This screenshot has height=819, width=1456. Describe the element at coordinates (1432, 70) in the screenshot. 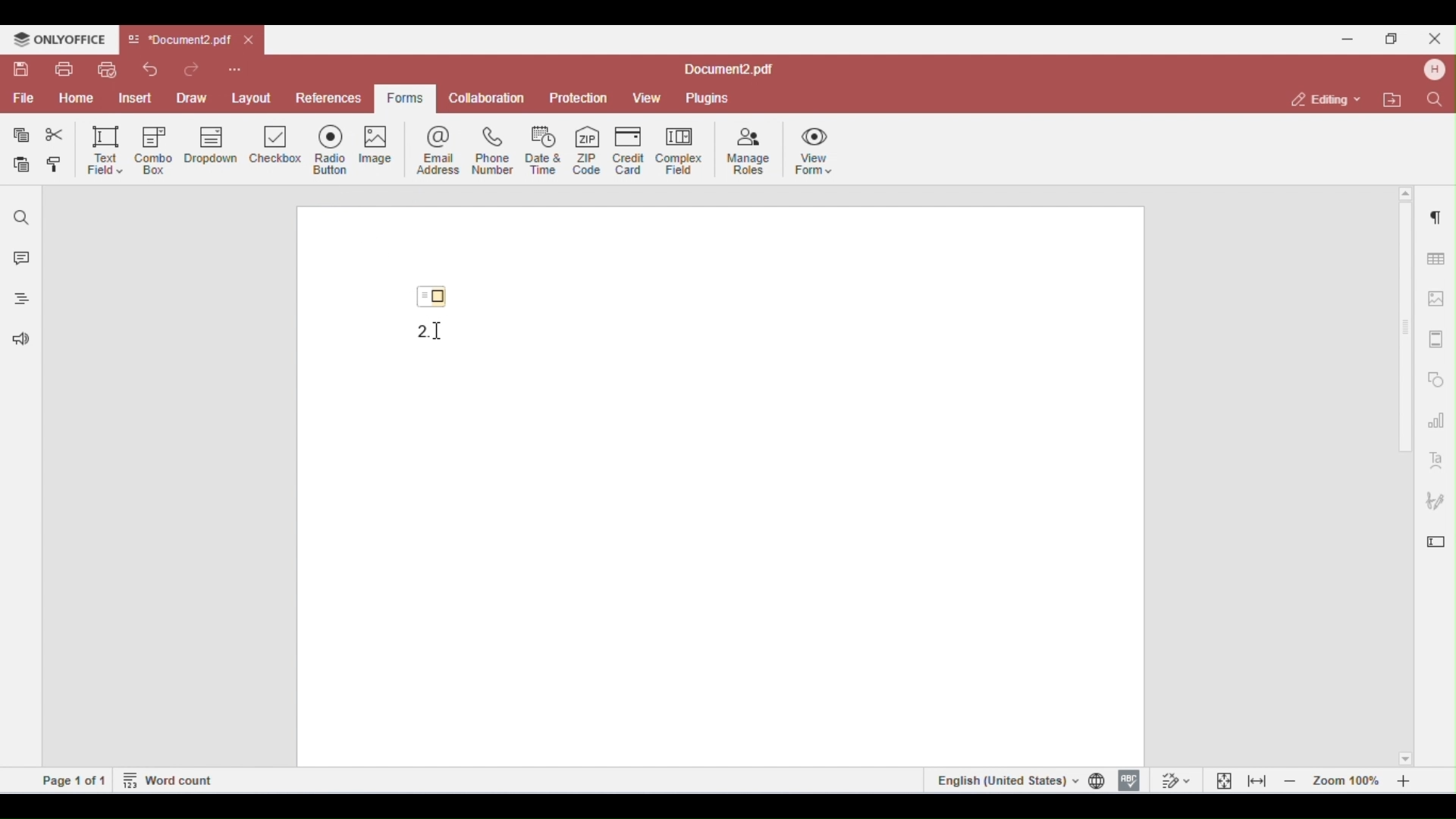

I see `account` at that location.